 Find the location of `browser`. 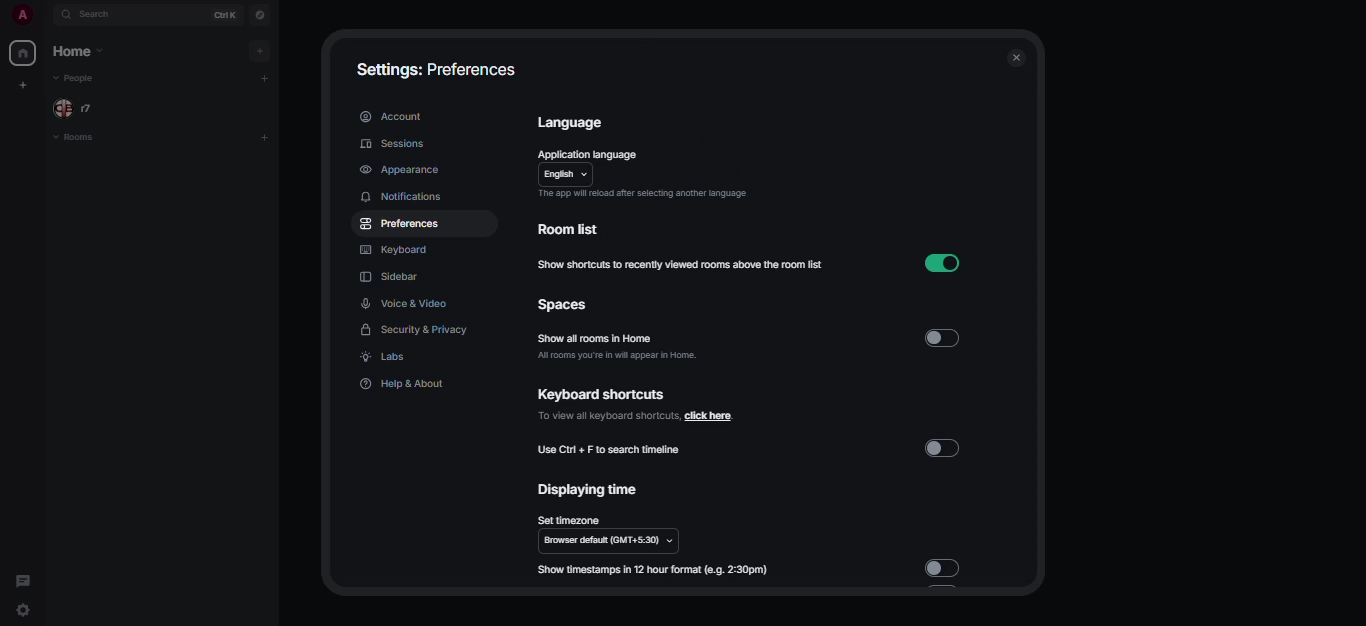

browser is located at coordinates (610, 540).